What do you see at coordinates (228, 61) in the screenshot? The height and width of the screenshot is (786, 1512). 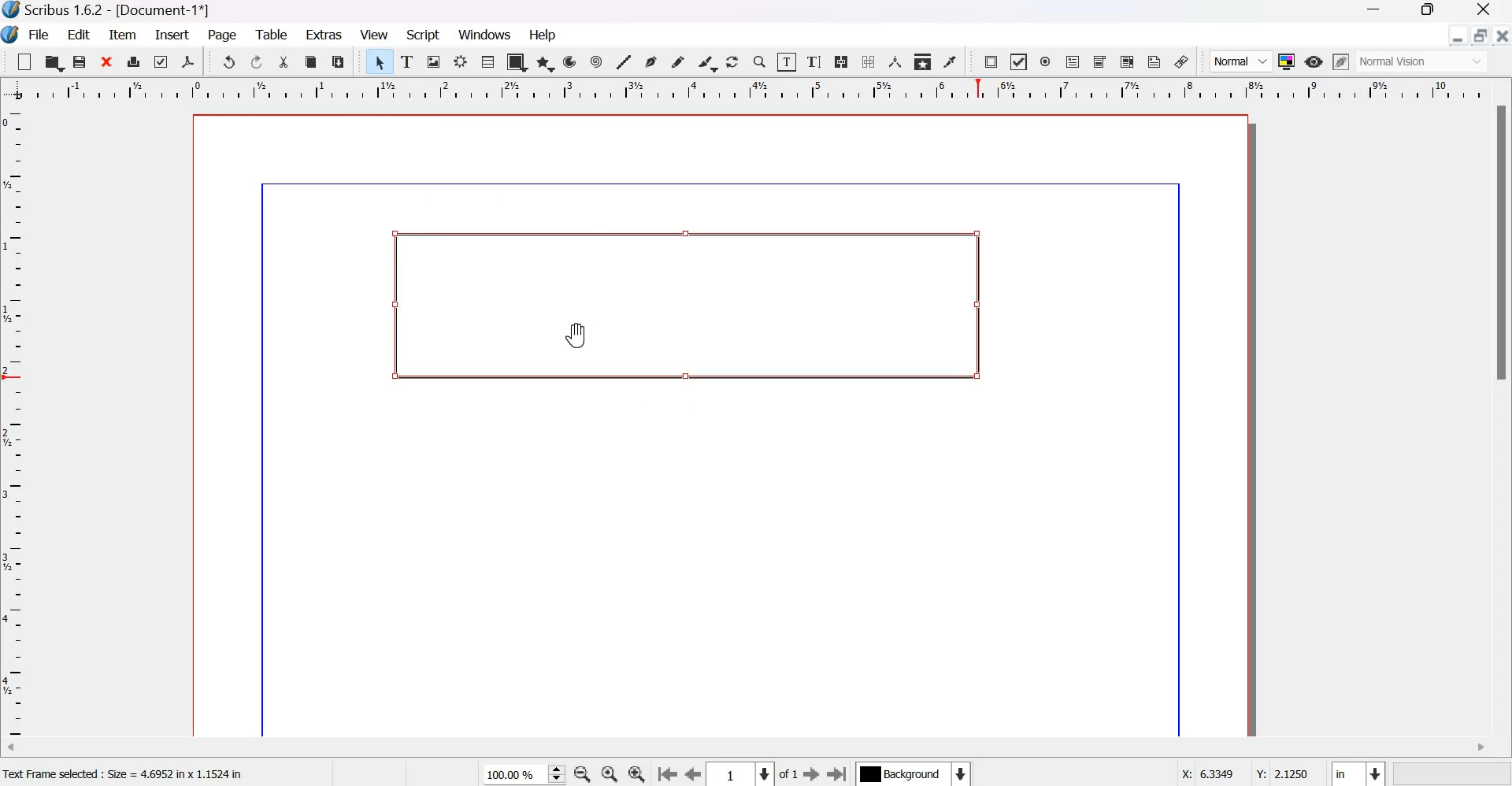 I see `undo` at bounding box center [228, 61].